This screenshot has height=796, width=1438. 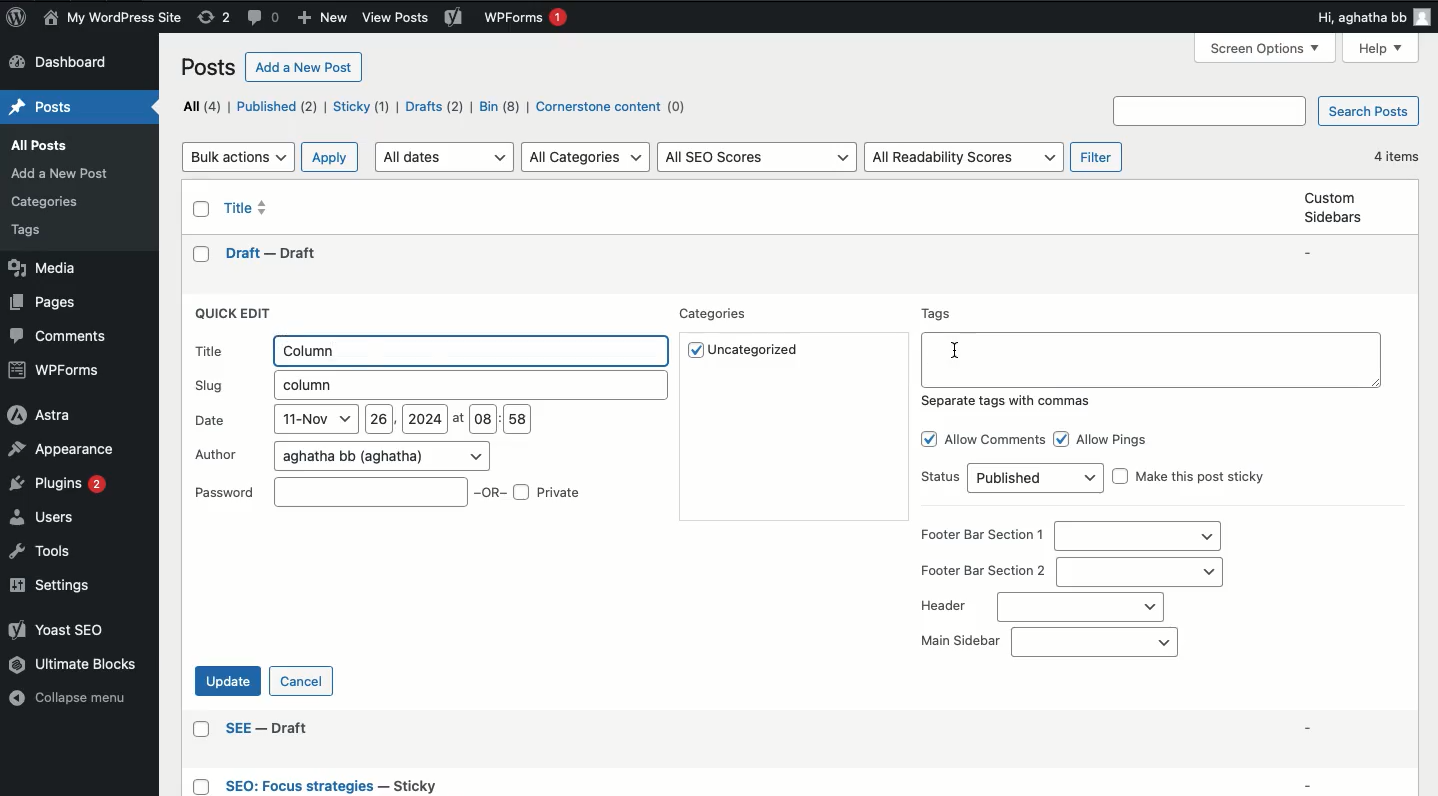 What do you see at coordinates (304, 67) in the screenshot?
I see `Add a new post` at bounding box center [304, 67].